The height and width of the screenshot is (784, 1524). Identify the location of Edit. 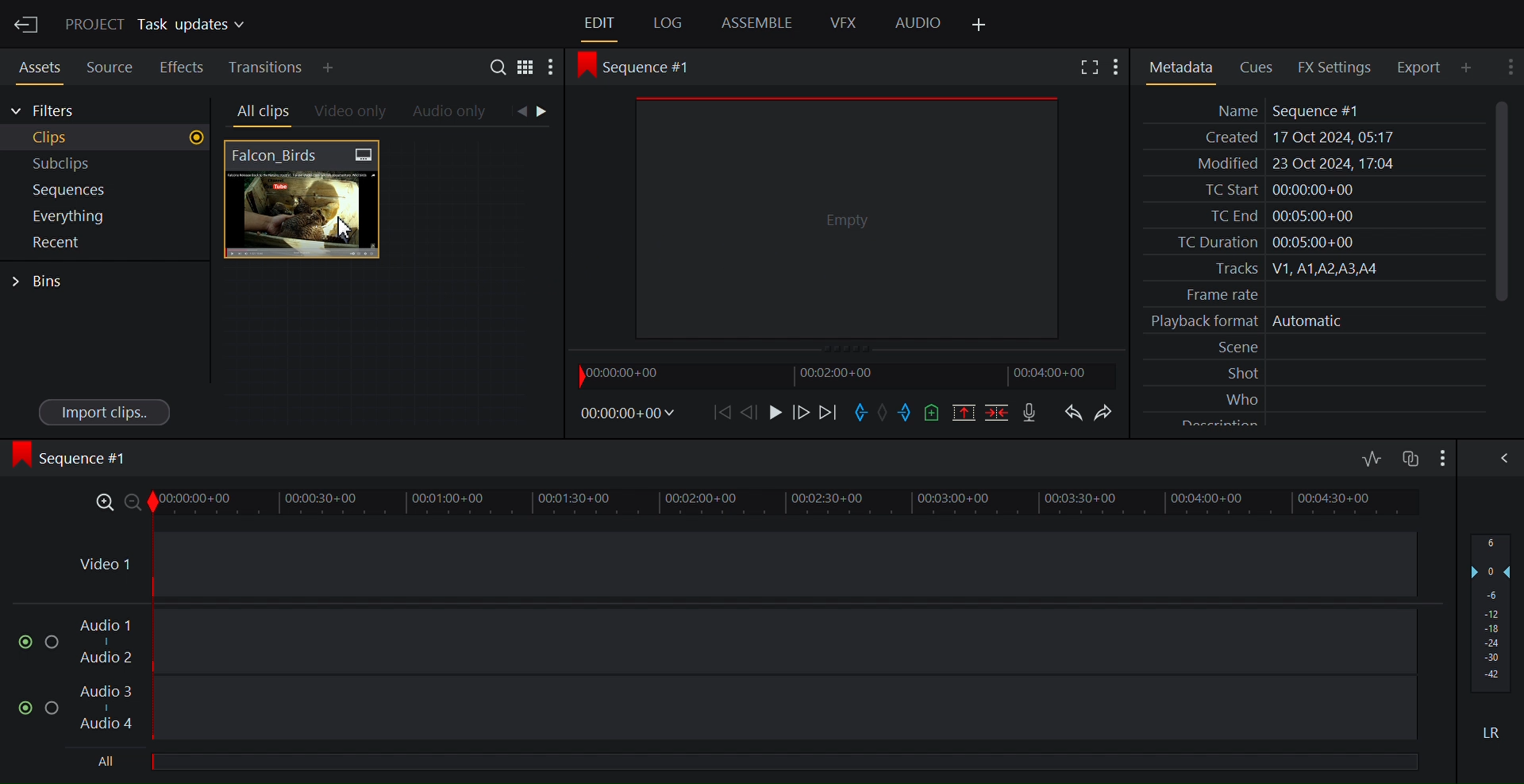
(601, 24).